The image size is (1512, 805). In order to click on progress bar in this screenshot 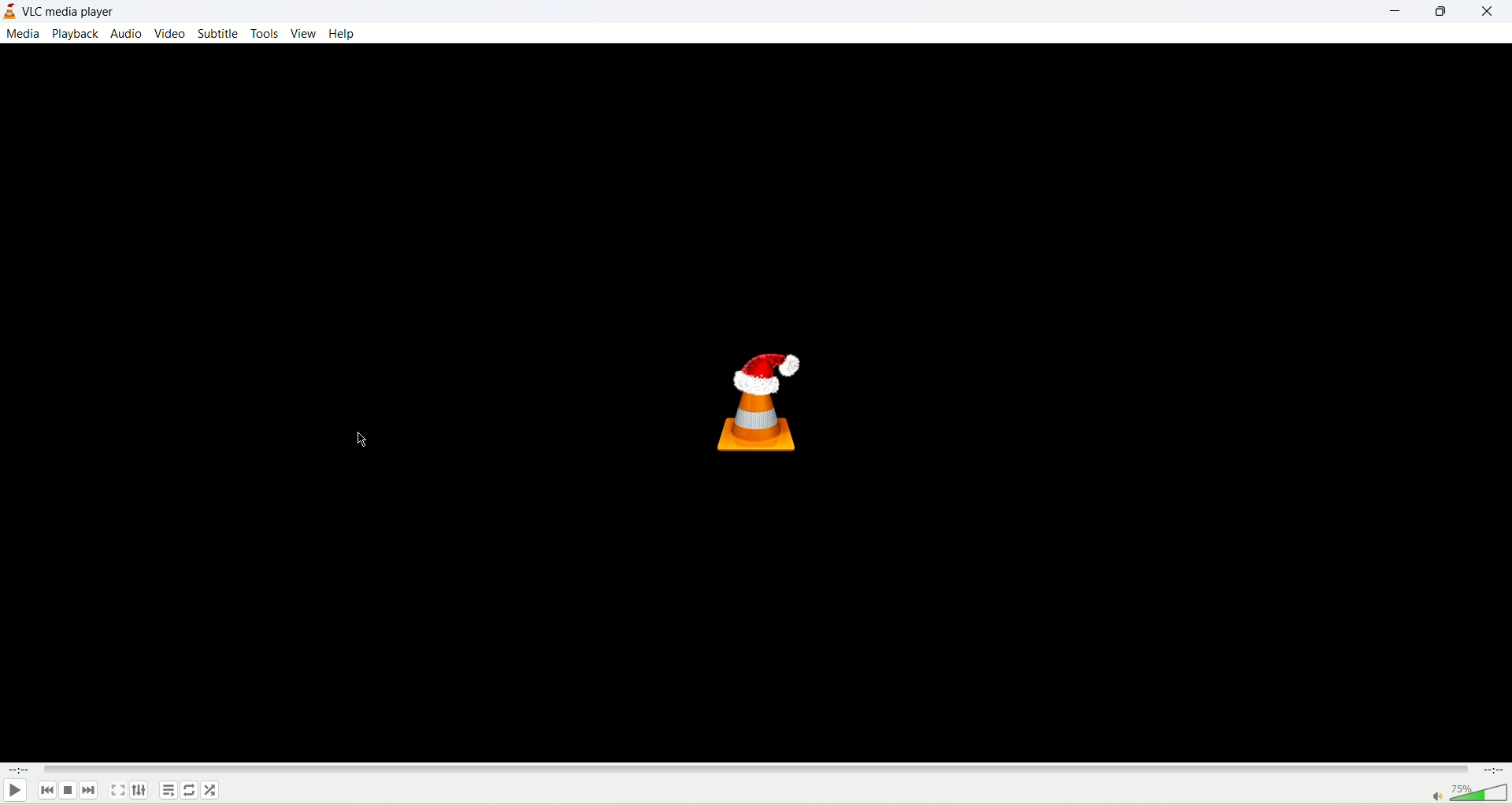, I will do `click(754, 769)`.